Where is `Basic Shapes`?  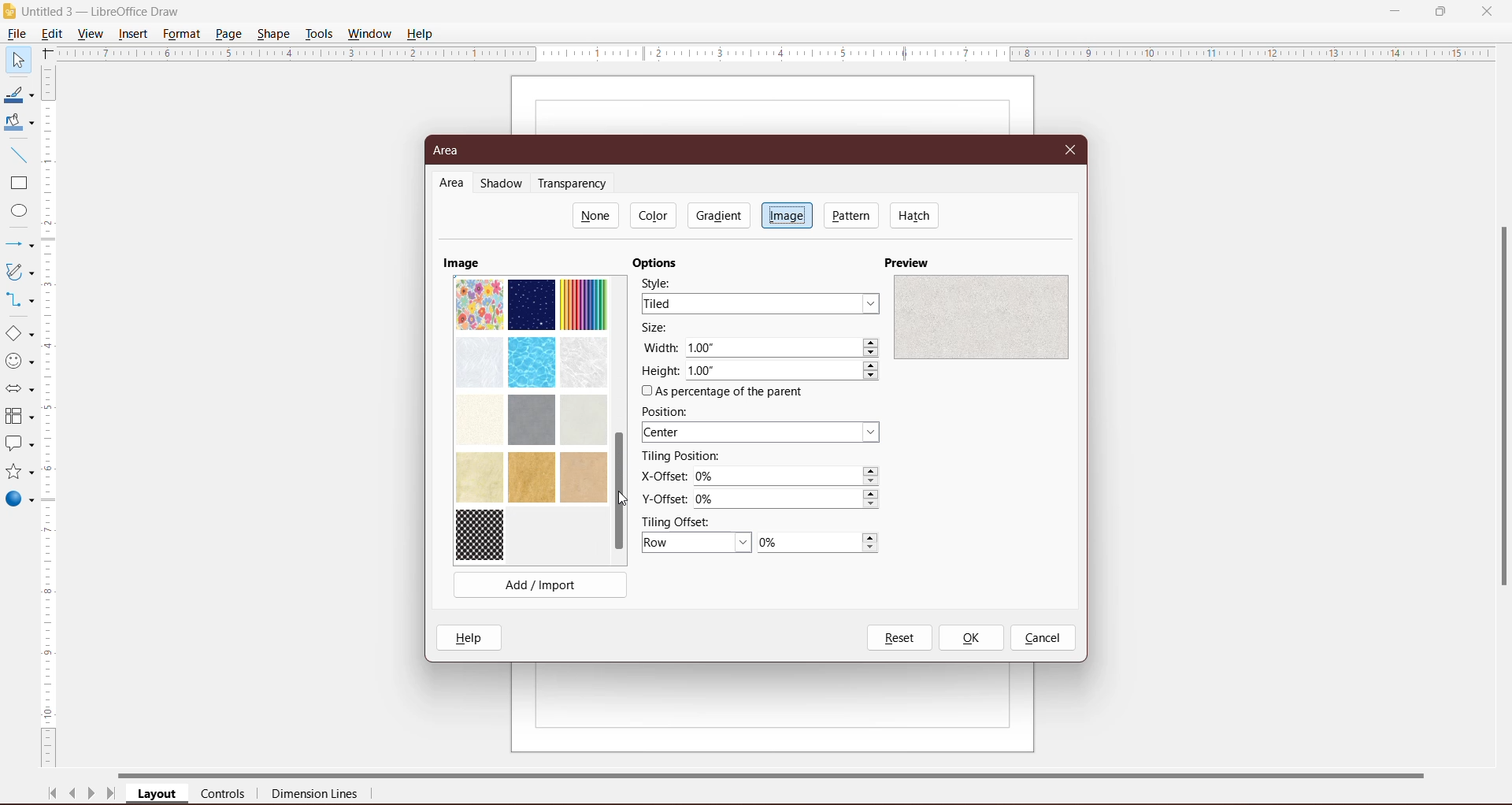
Basic Shapes is located at coordinates (19, 334).